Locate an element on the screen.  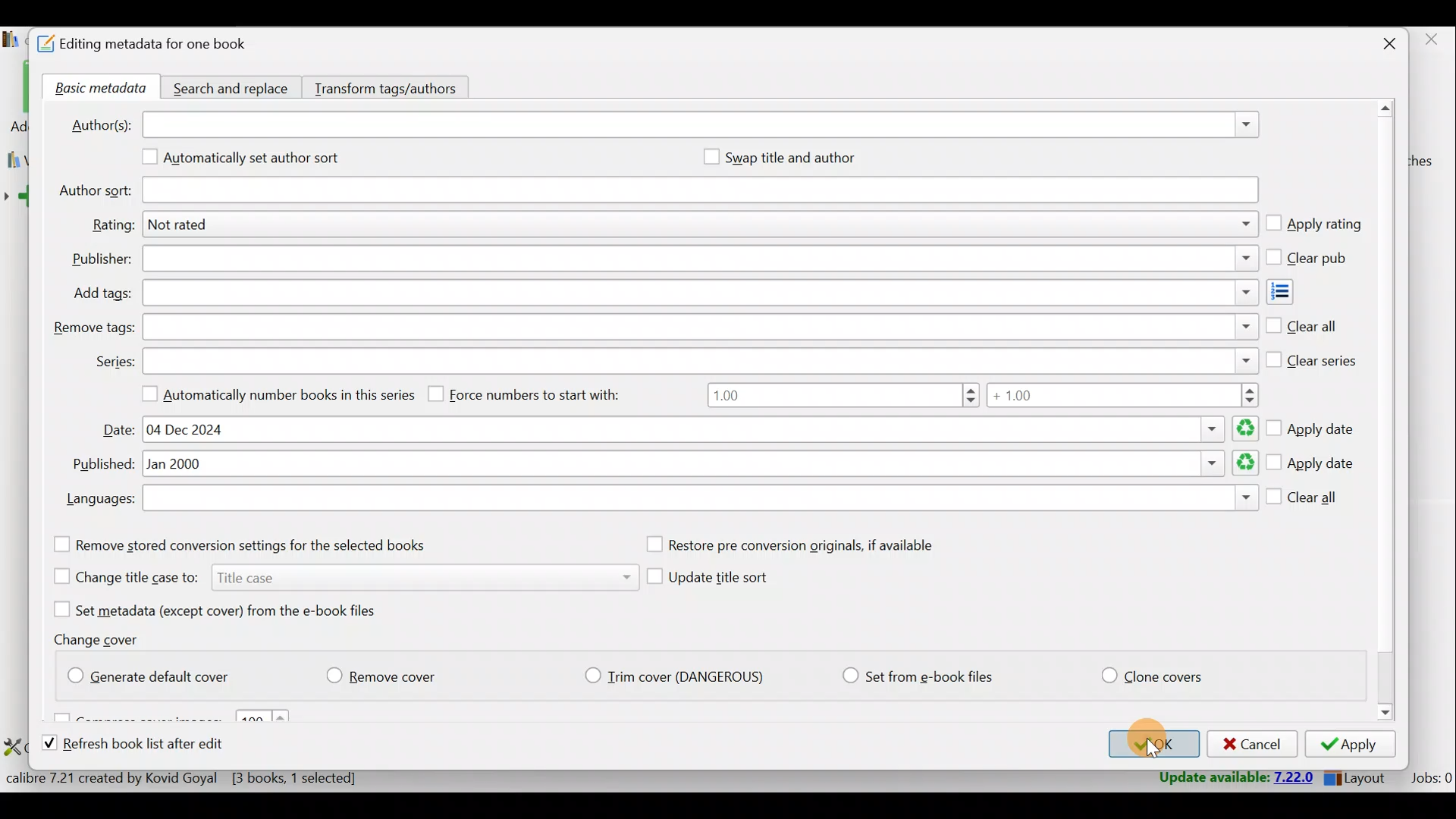
Update is located at coordinates (1234, 778).